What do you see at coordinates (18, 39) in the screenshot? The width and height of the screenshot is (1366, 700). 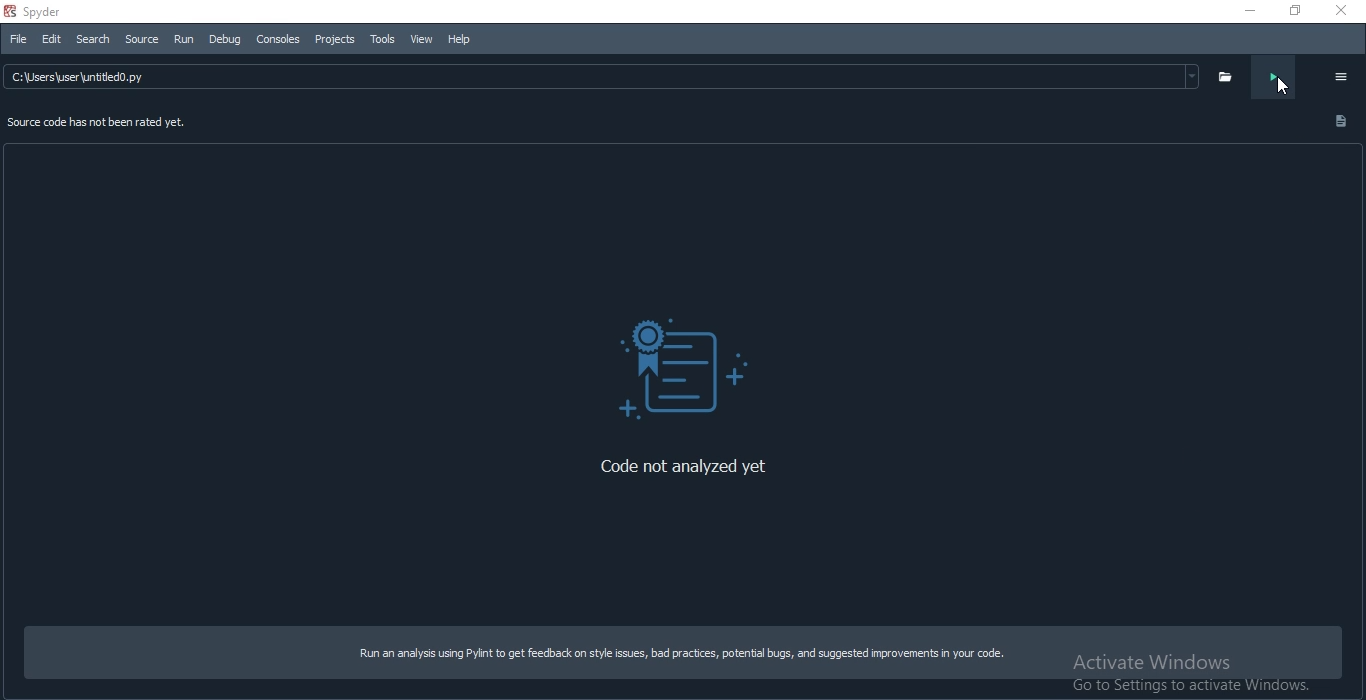 I see `File ` at bounding box center [18, 39].